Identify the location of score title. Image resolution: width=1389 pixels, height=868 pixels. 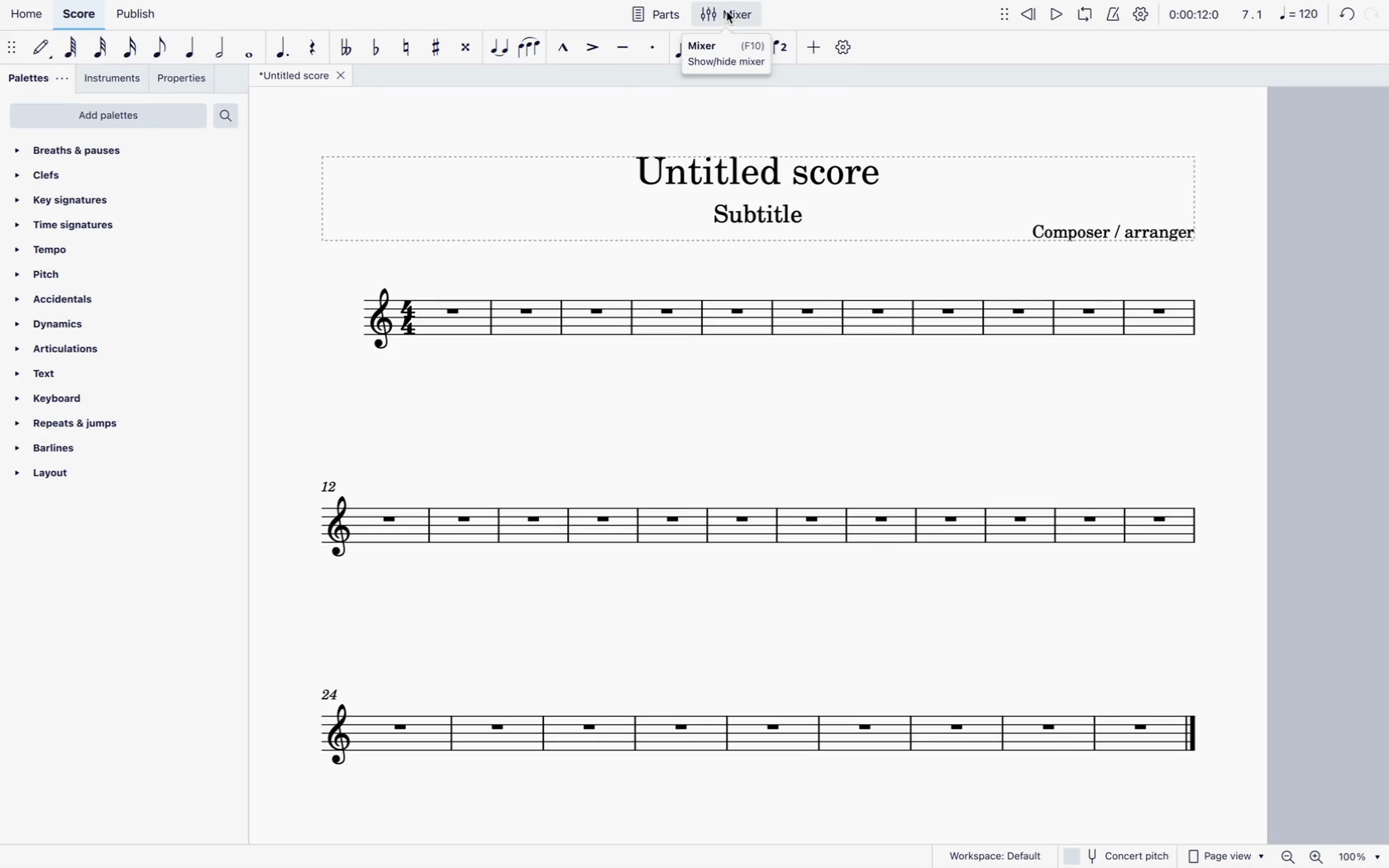
(301, 77).